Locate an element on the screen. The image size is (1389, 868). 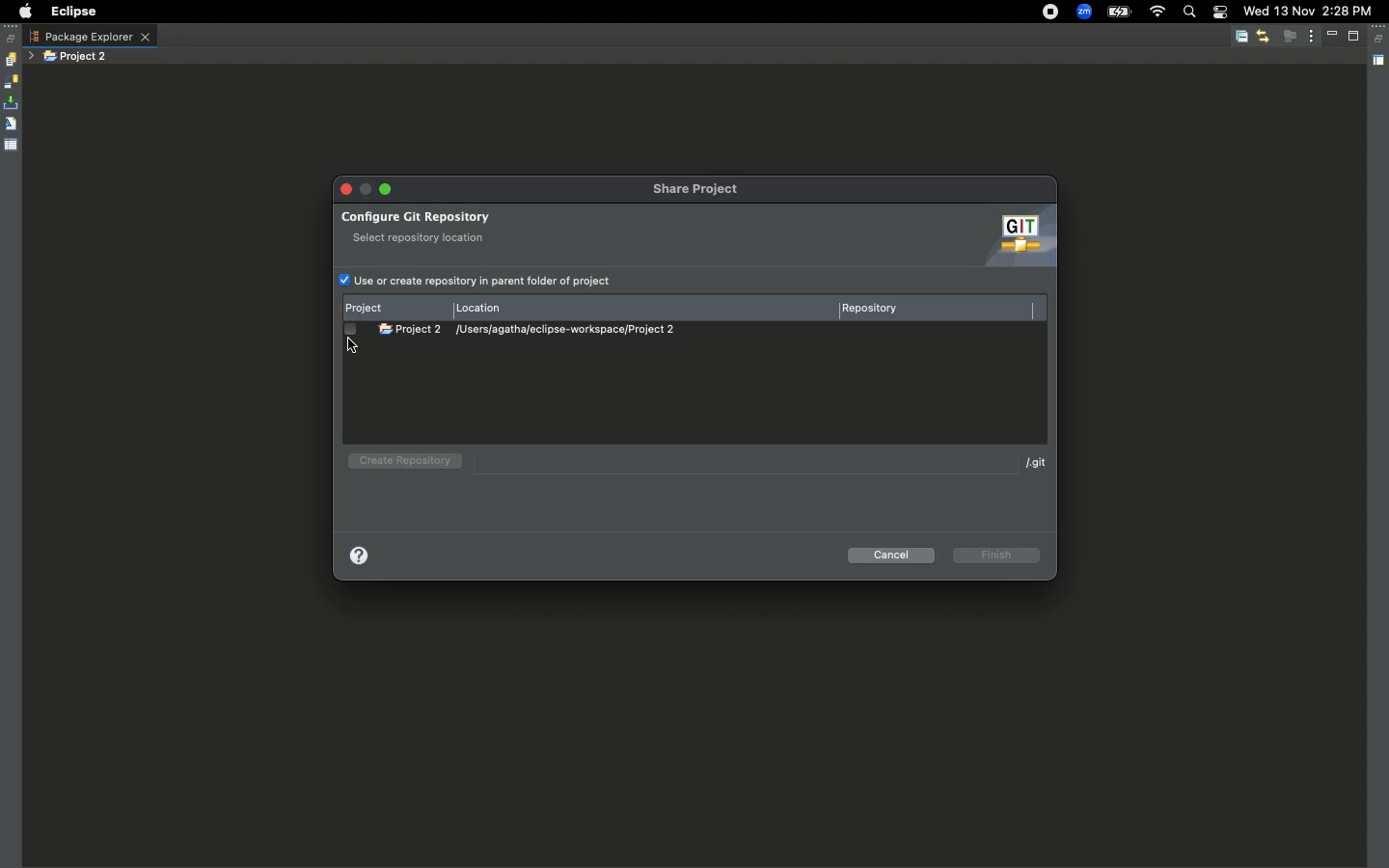
Focus on active task is located at coordinates (1290, 36).